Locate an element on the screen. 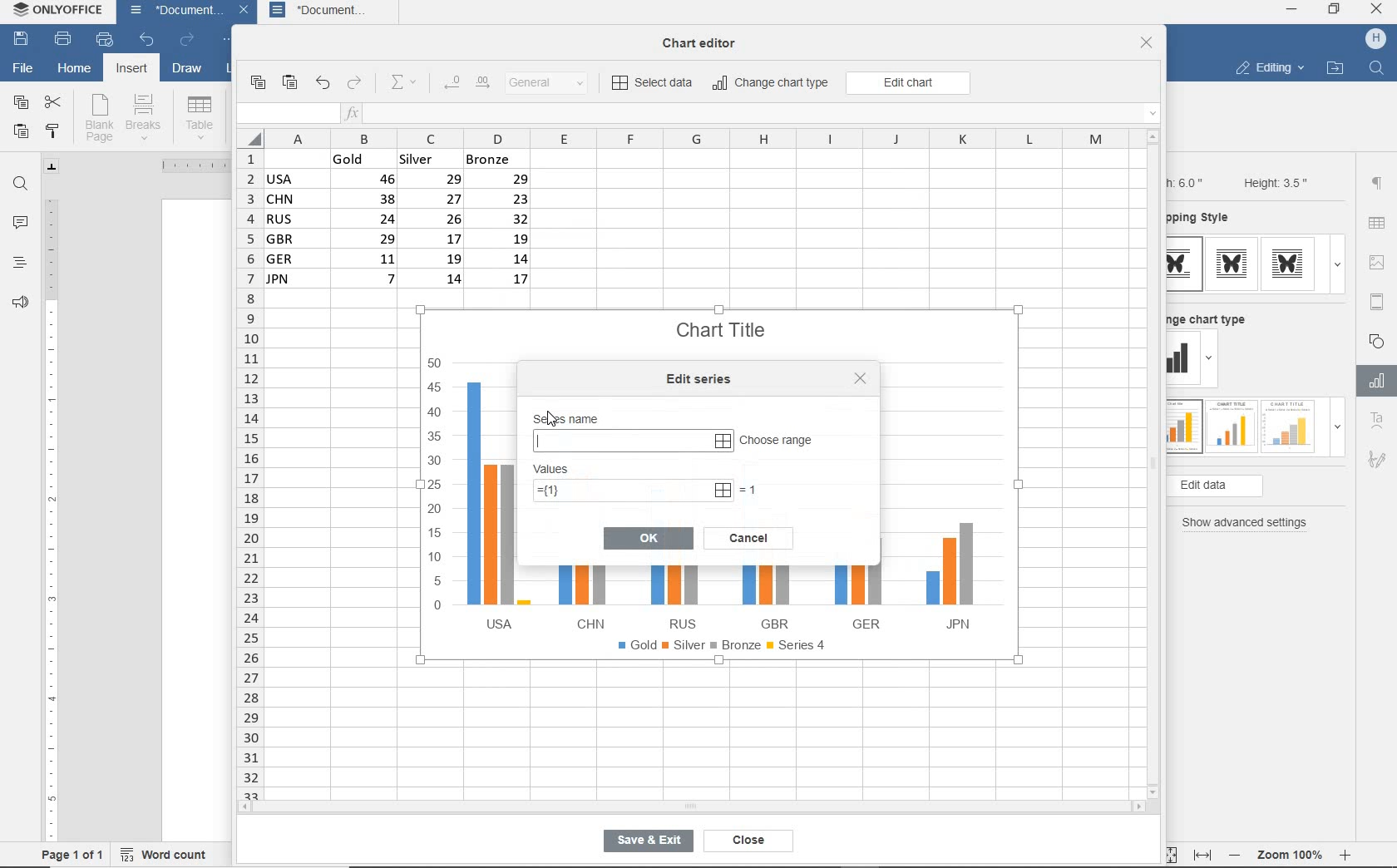  insert function is located at coordinates (753, 114).